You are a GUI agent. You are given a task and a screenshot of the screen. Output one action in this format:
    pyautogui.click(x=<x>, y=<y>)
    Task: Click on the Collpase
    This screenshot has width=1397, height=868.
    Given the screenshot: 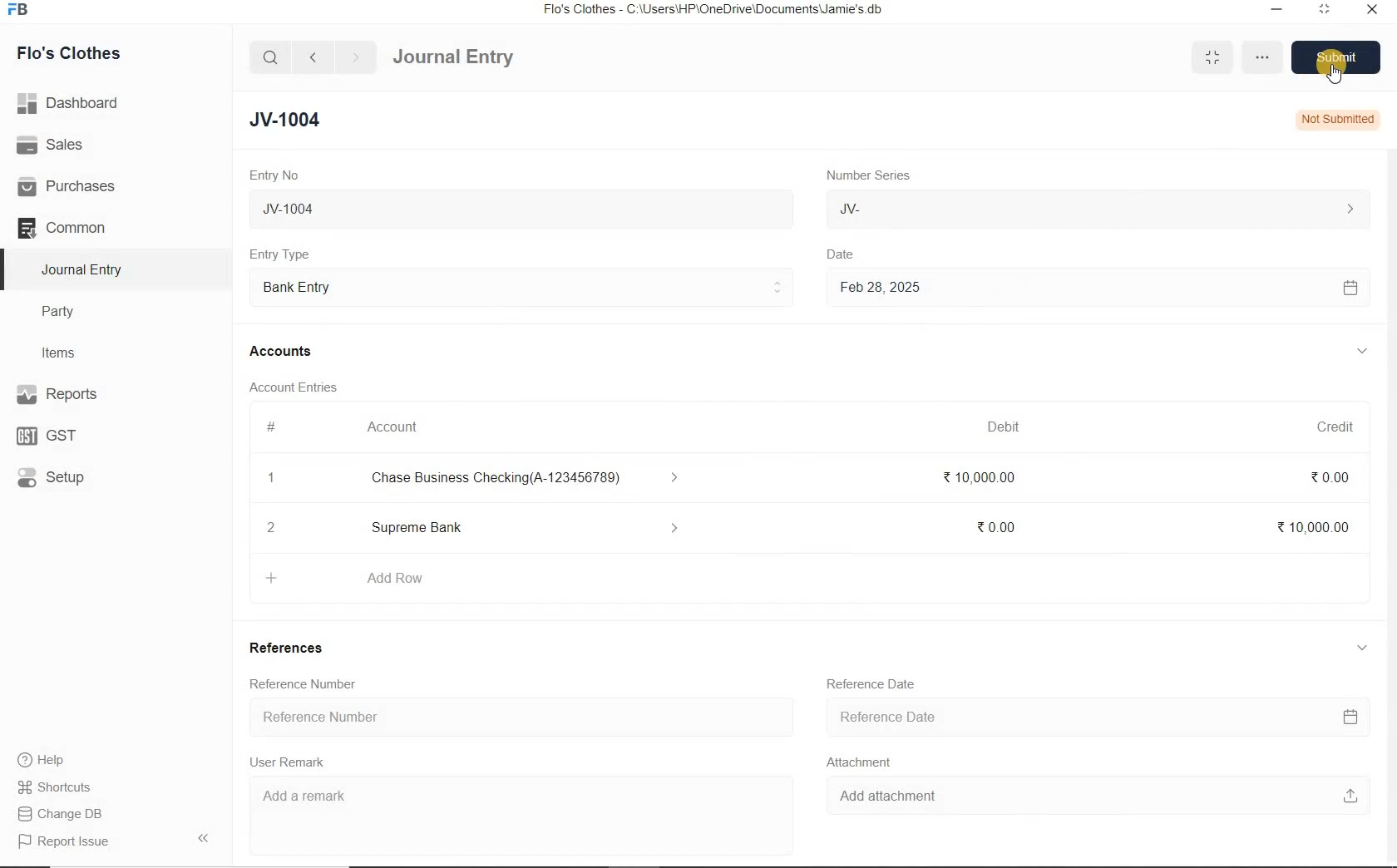 What is the action you would take?
    pyautogui.click(x=203, y=837)
    